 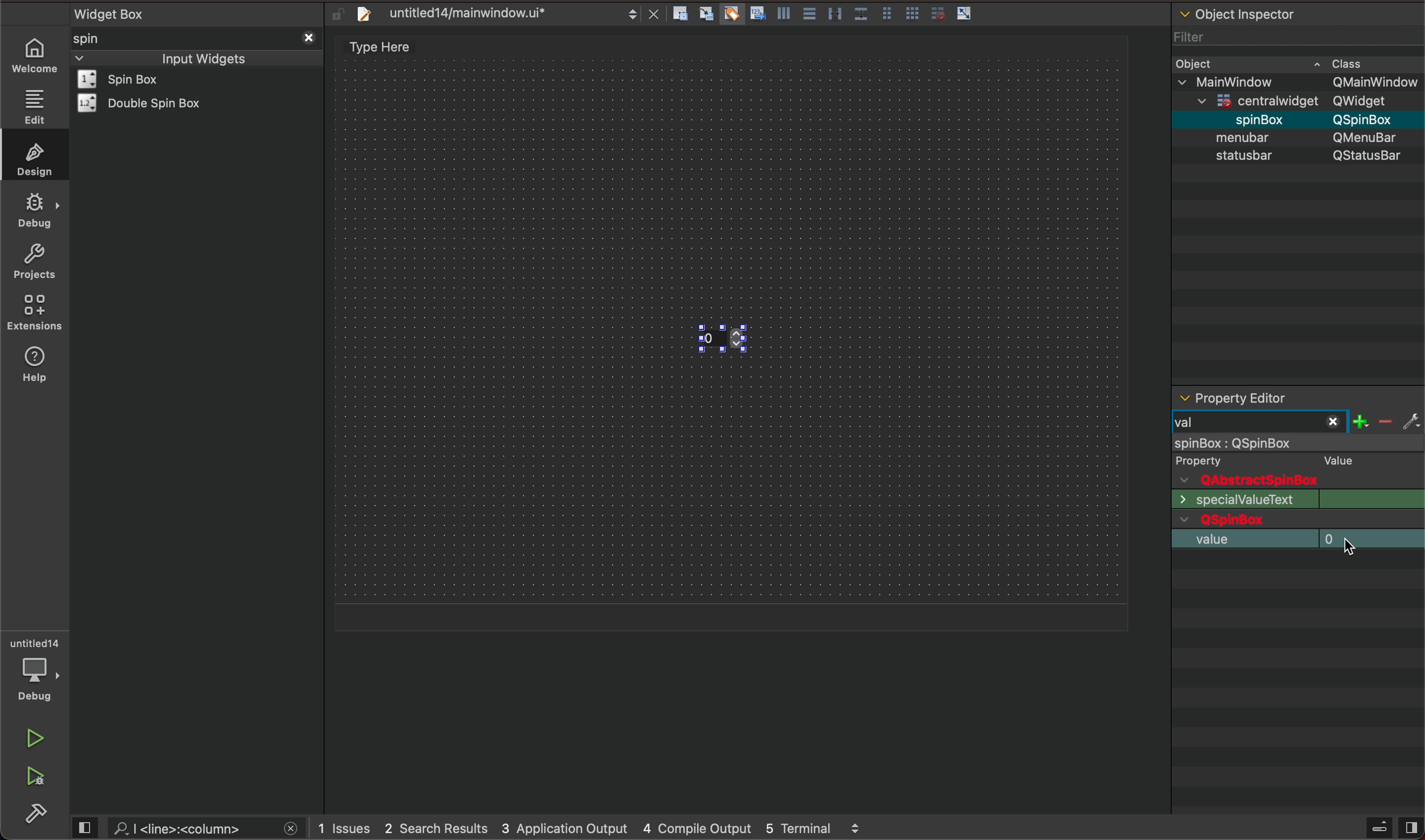 What do you see at coordinates (307, 36) in the screenshot?
I see `close` at bounding box center [307, 36].